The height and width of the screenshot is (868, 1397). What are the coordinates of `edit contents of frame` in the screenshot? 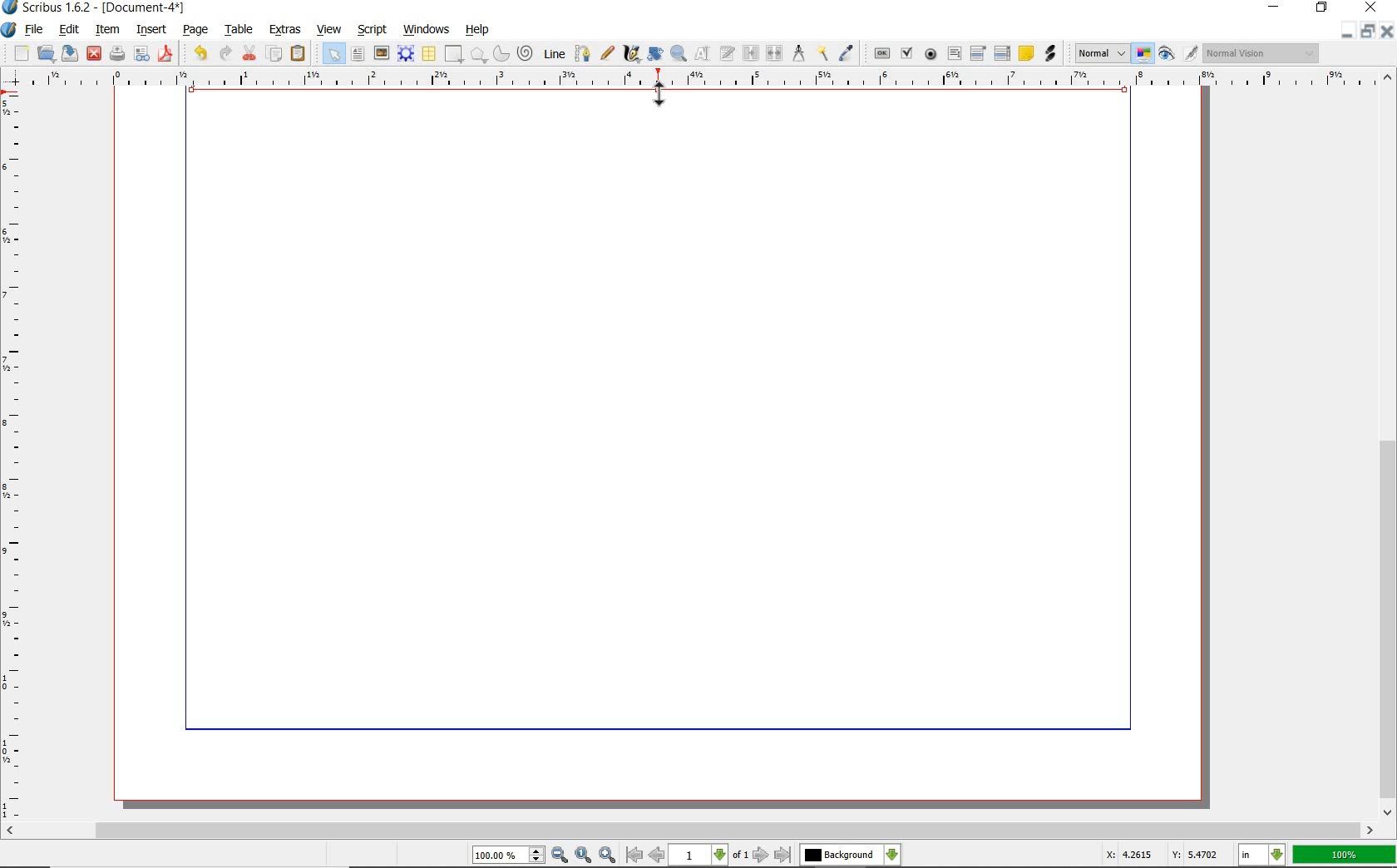 It's located at (701, 53).